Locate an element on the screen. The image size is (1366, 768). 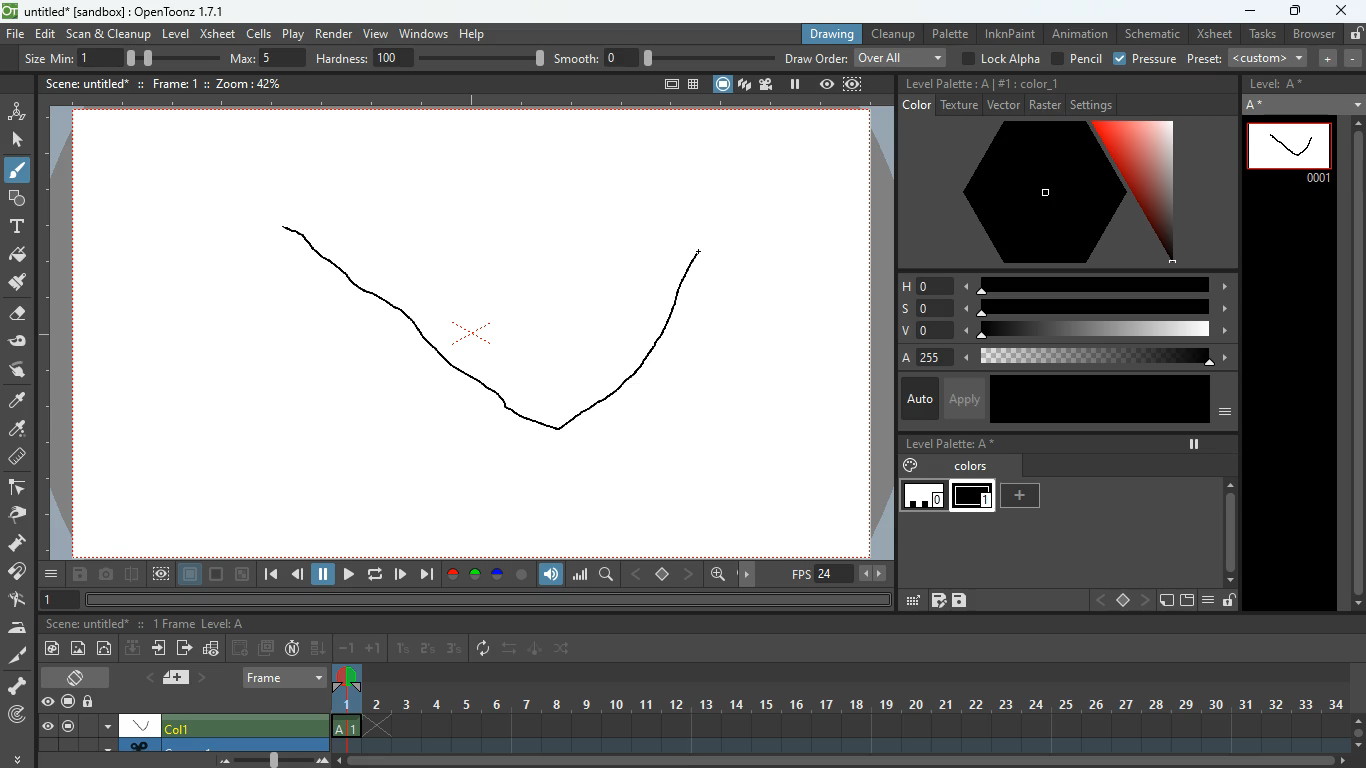
send is located at coordinates (184, 647).